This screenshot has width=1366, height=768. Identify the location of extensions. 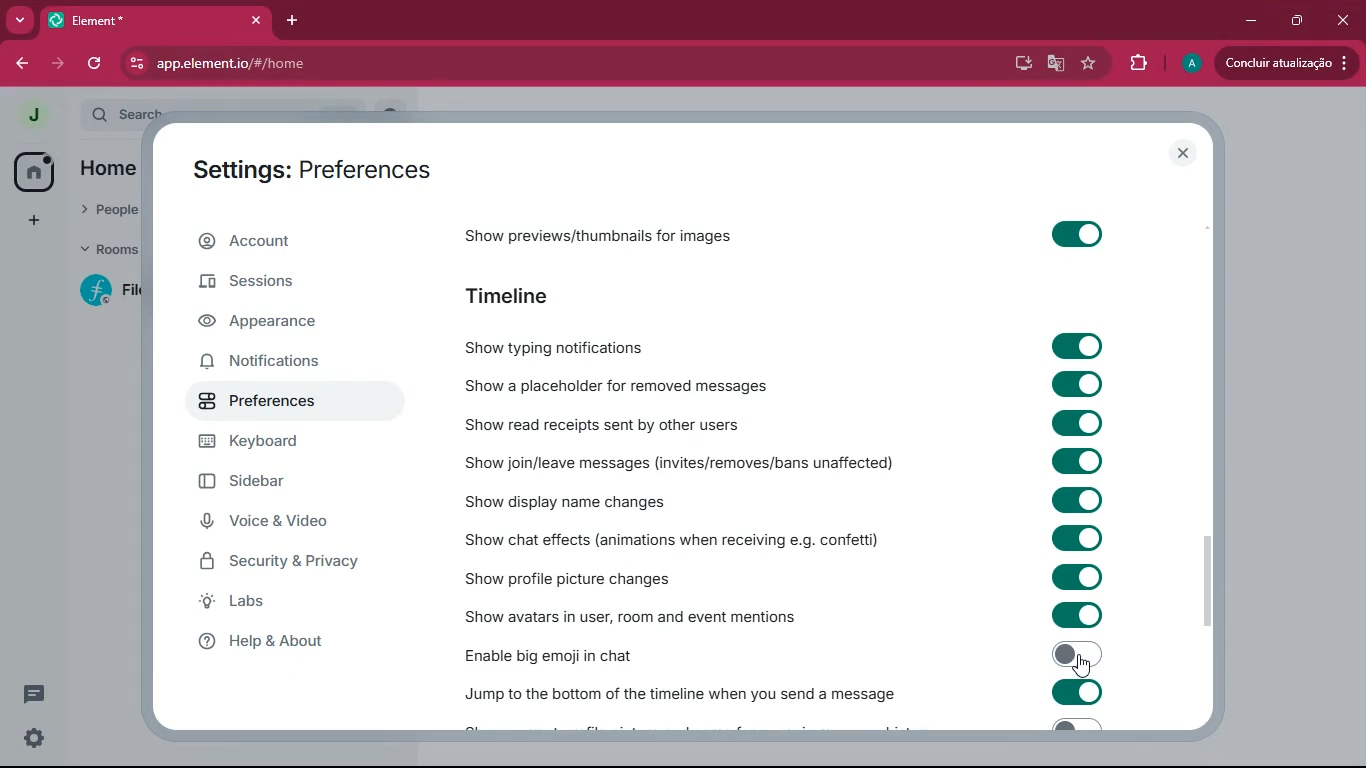
(1137, 61).